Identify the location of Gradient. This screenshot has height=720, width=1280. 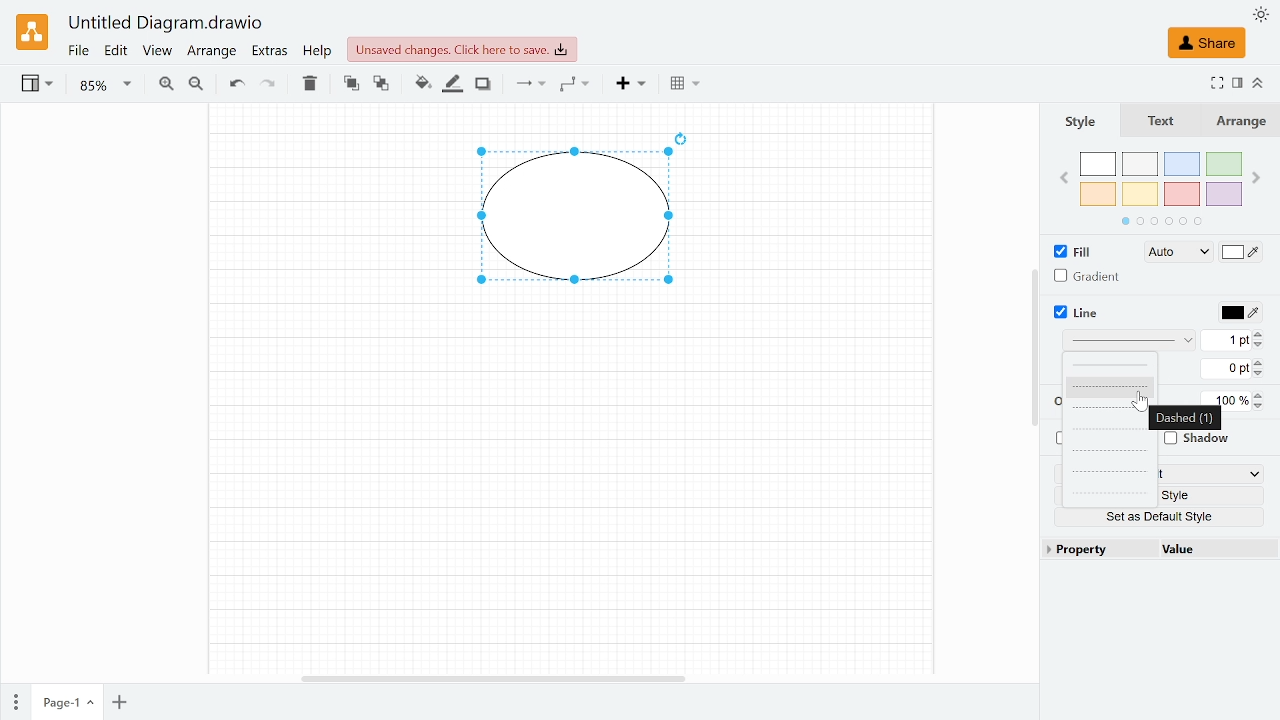
(1090, 278).